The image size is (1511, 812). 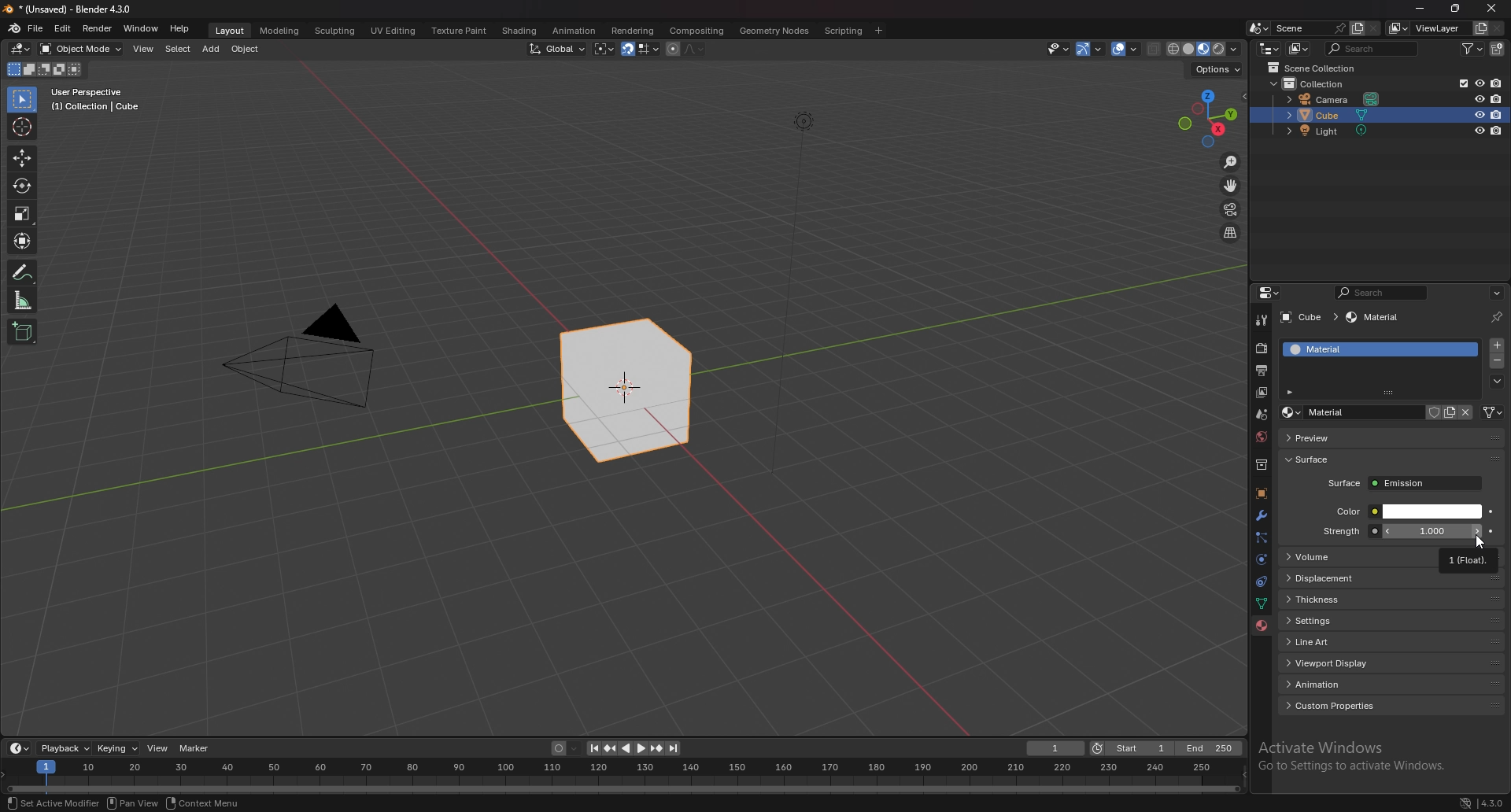 I want to click on texture paint, so click(x=457, y=31).